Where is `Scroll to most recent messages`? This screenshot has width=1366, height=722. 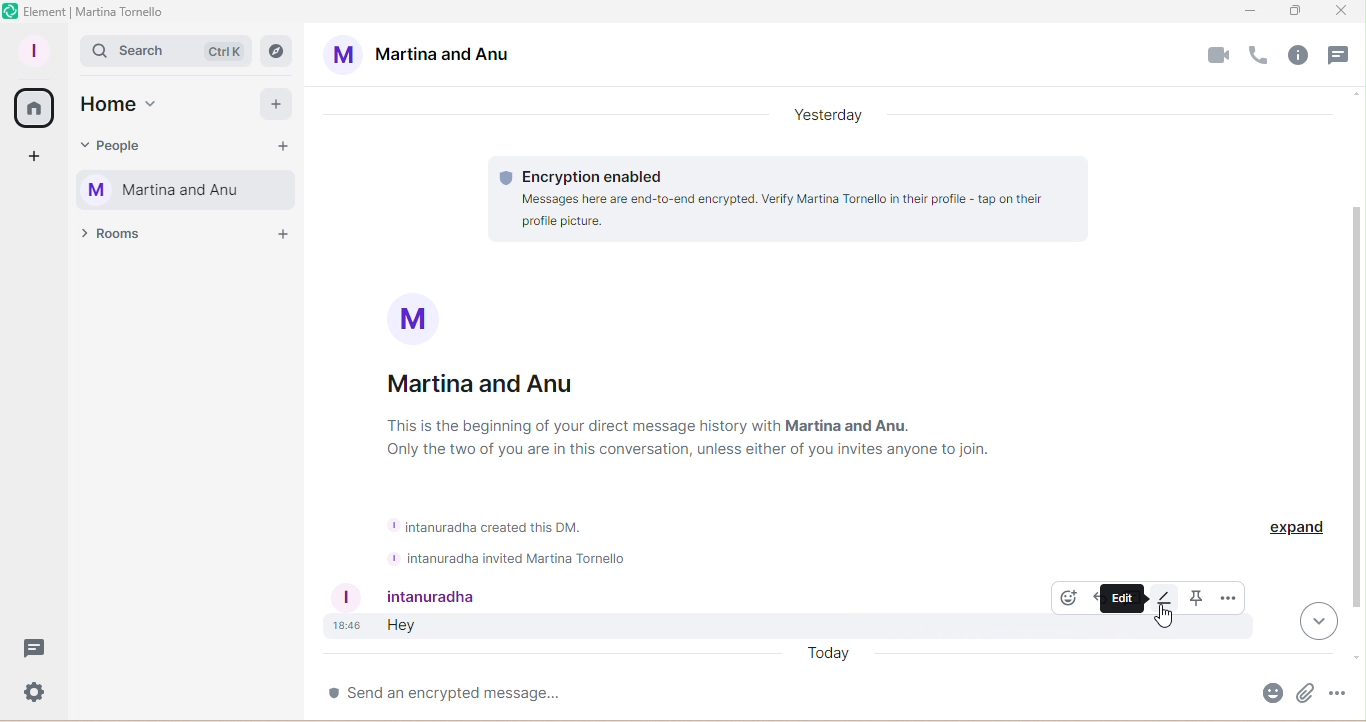 Scroll to most recent messages is located at coordinates (1317, 623).